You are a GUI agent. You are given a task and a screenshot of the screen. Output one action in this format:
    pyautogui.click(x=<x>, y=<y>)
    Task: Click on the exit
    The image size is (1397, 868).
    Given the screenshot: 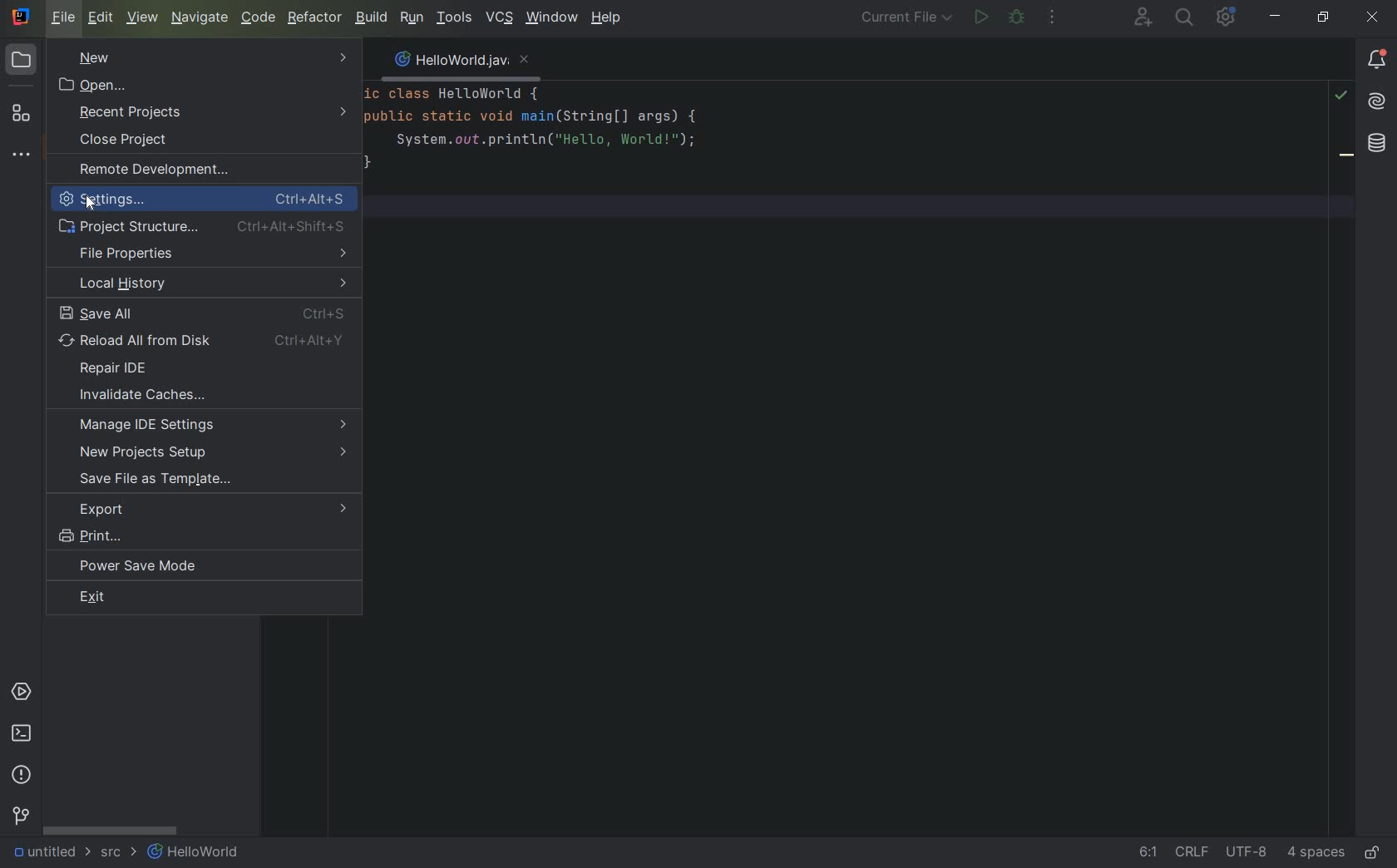 What is the action you would take?
    pyautogui.click(x=159, y=598)
    